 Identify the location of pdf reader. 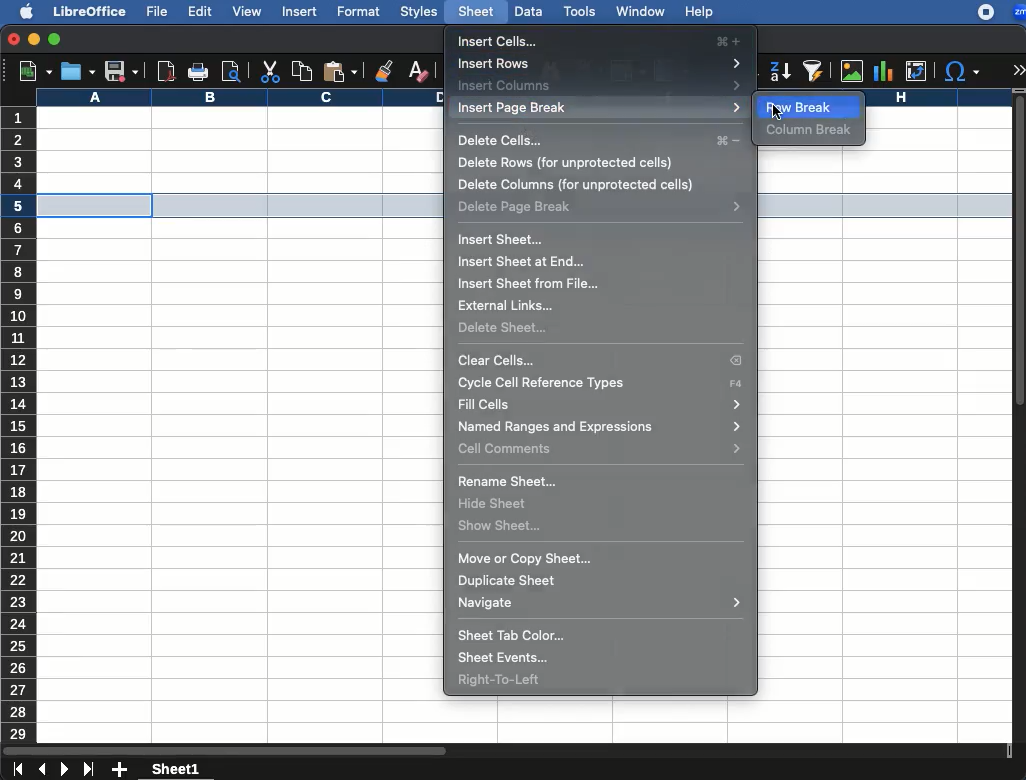
(165, 71).